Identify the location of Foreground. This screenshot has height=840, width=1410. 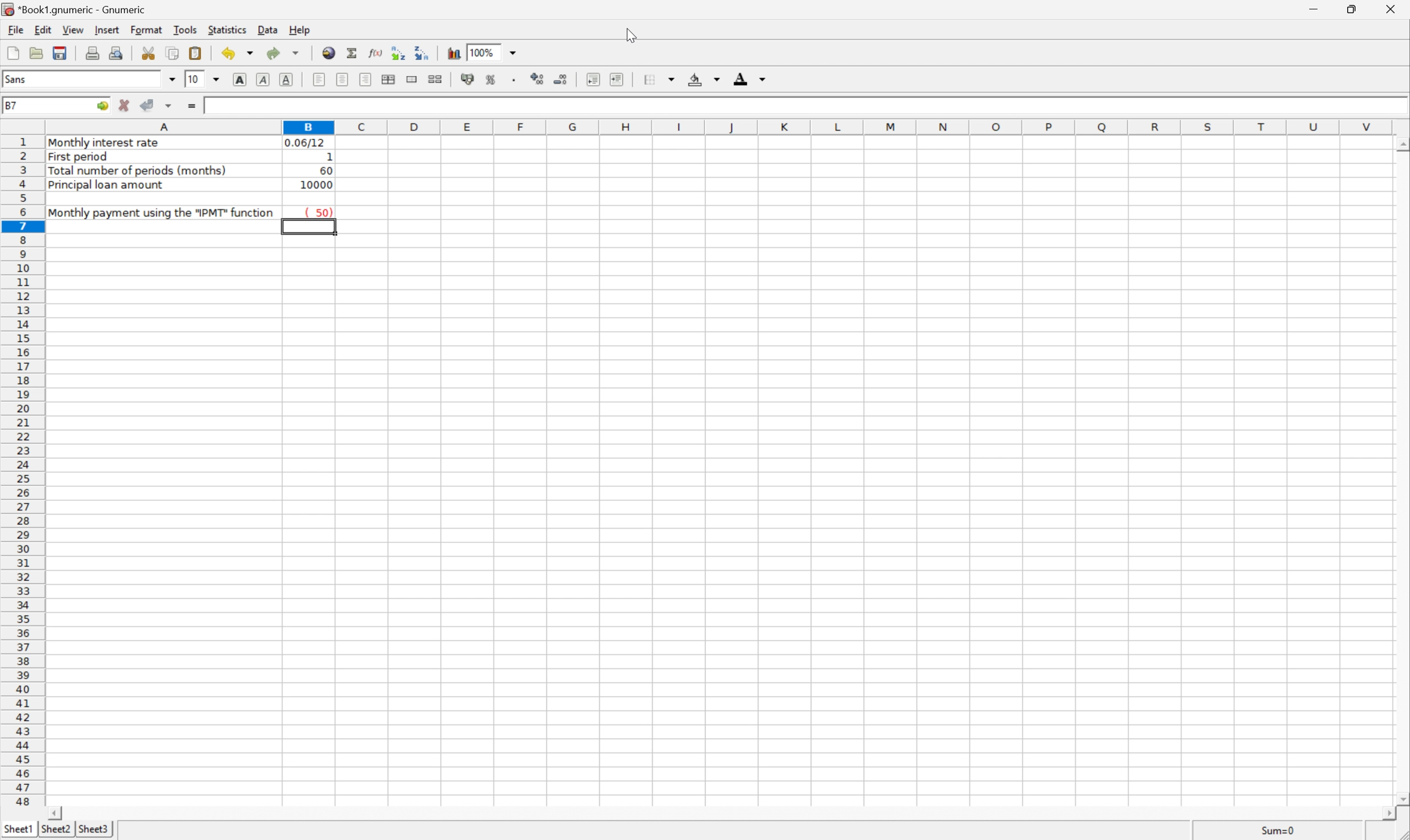
(748, 78).